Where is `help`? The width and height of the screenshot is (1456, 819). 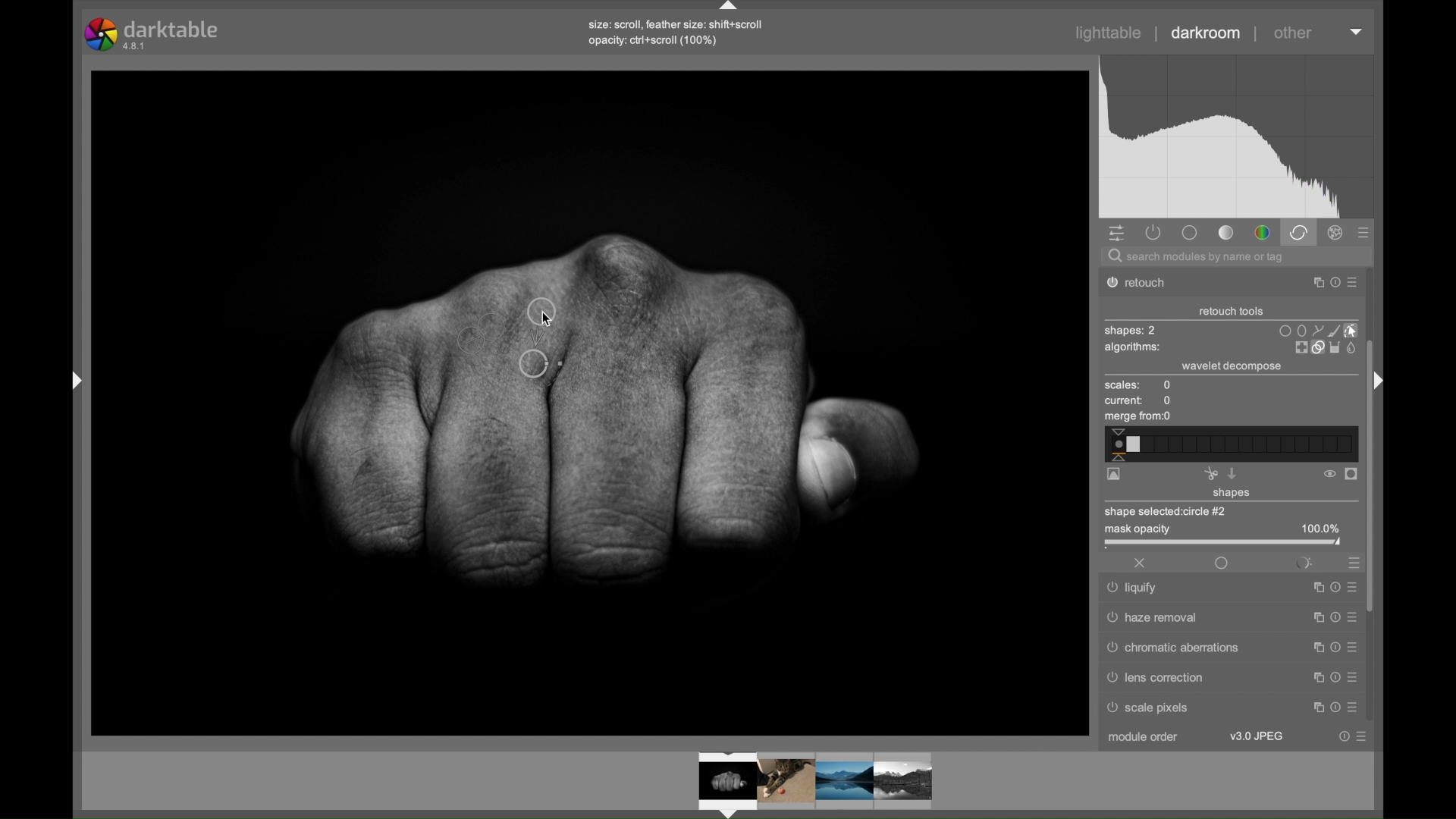 help is located at coordinates (1332, 587).